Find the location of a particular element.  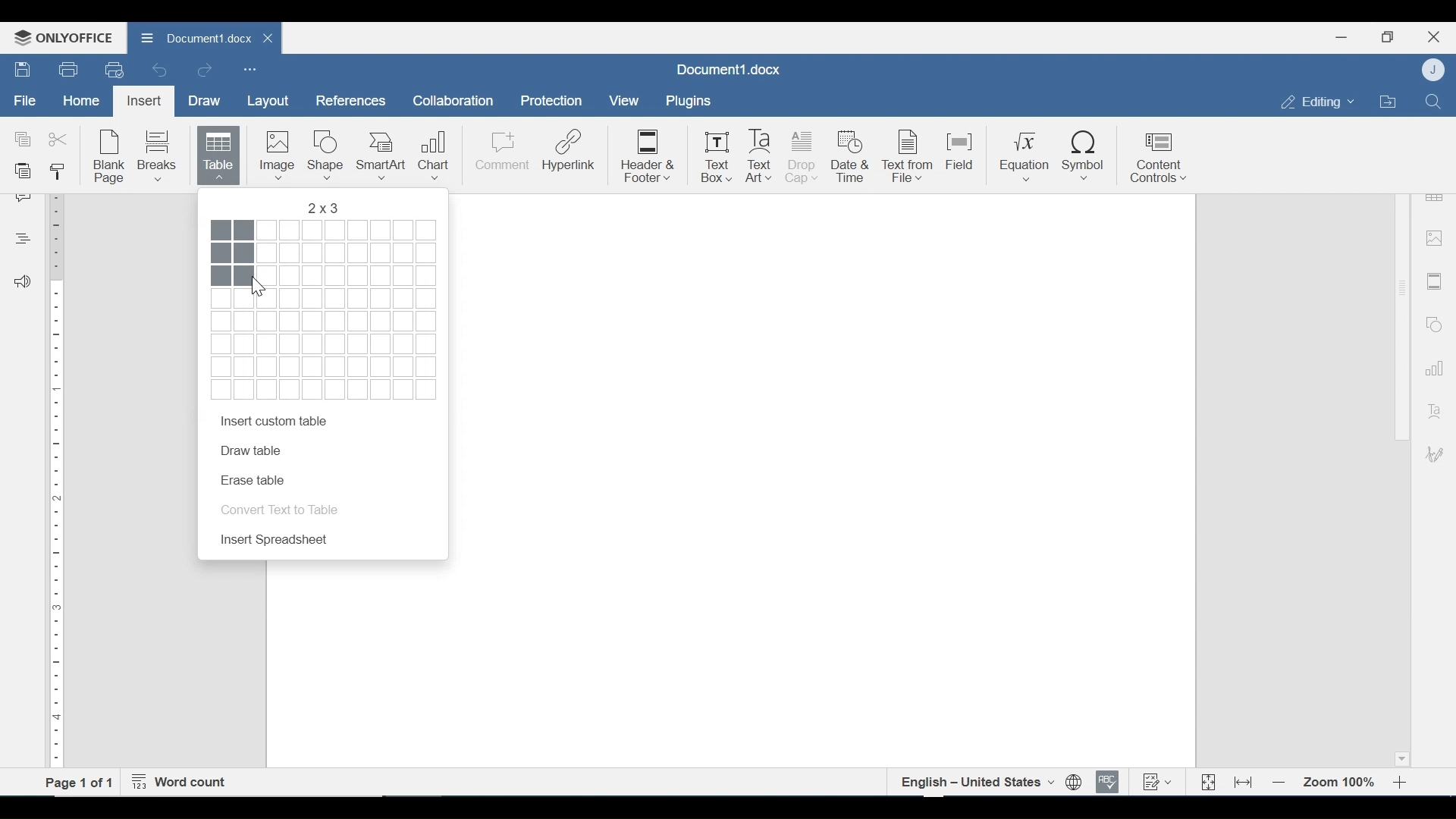

Redo is located at coordinates (204, 71).